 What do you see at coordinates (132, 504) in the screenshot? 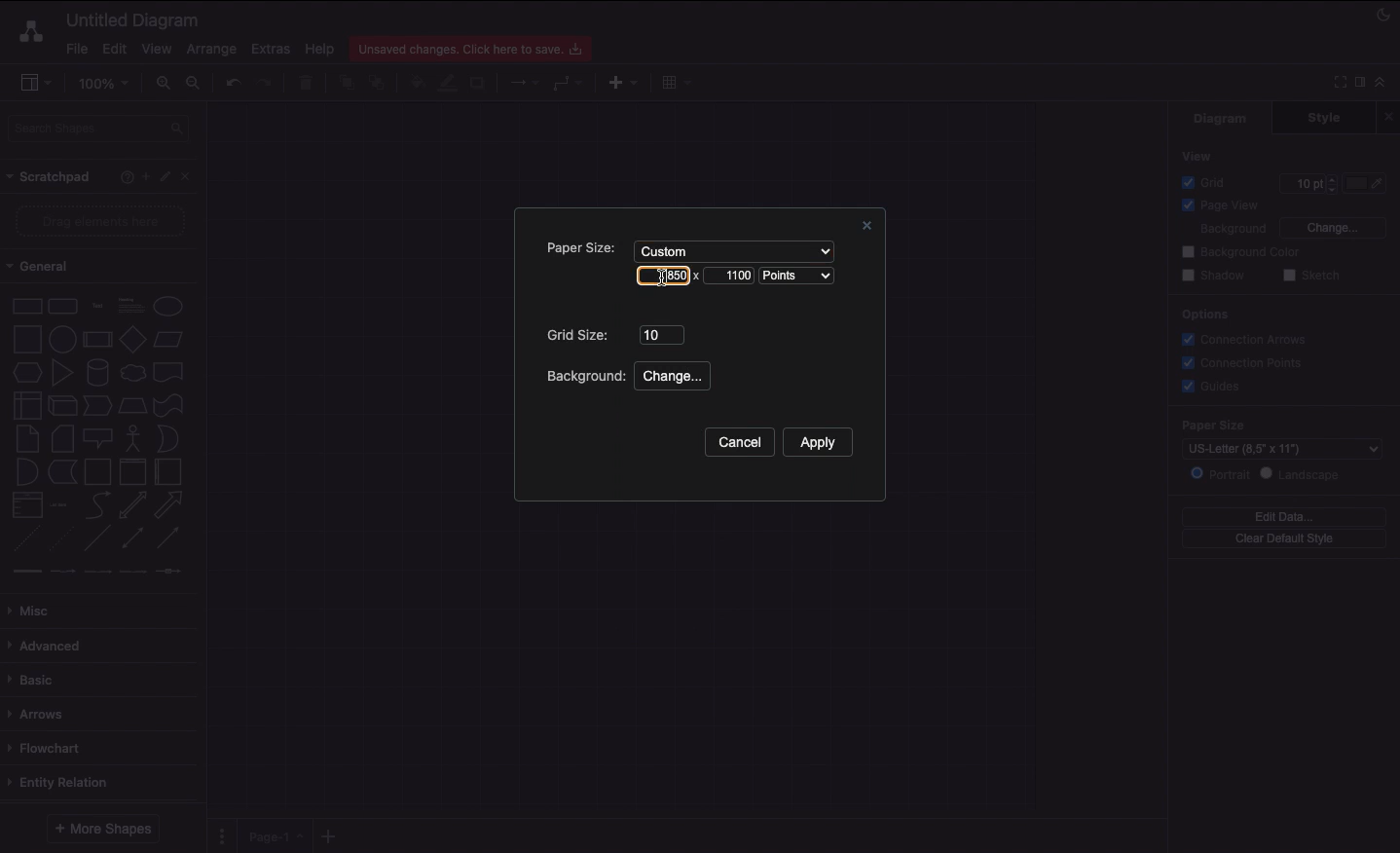
I see `Bidirectional arrow` at bounding box center [132, 504].